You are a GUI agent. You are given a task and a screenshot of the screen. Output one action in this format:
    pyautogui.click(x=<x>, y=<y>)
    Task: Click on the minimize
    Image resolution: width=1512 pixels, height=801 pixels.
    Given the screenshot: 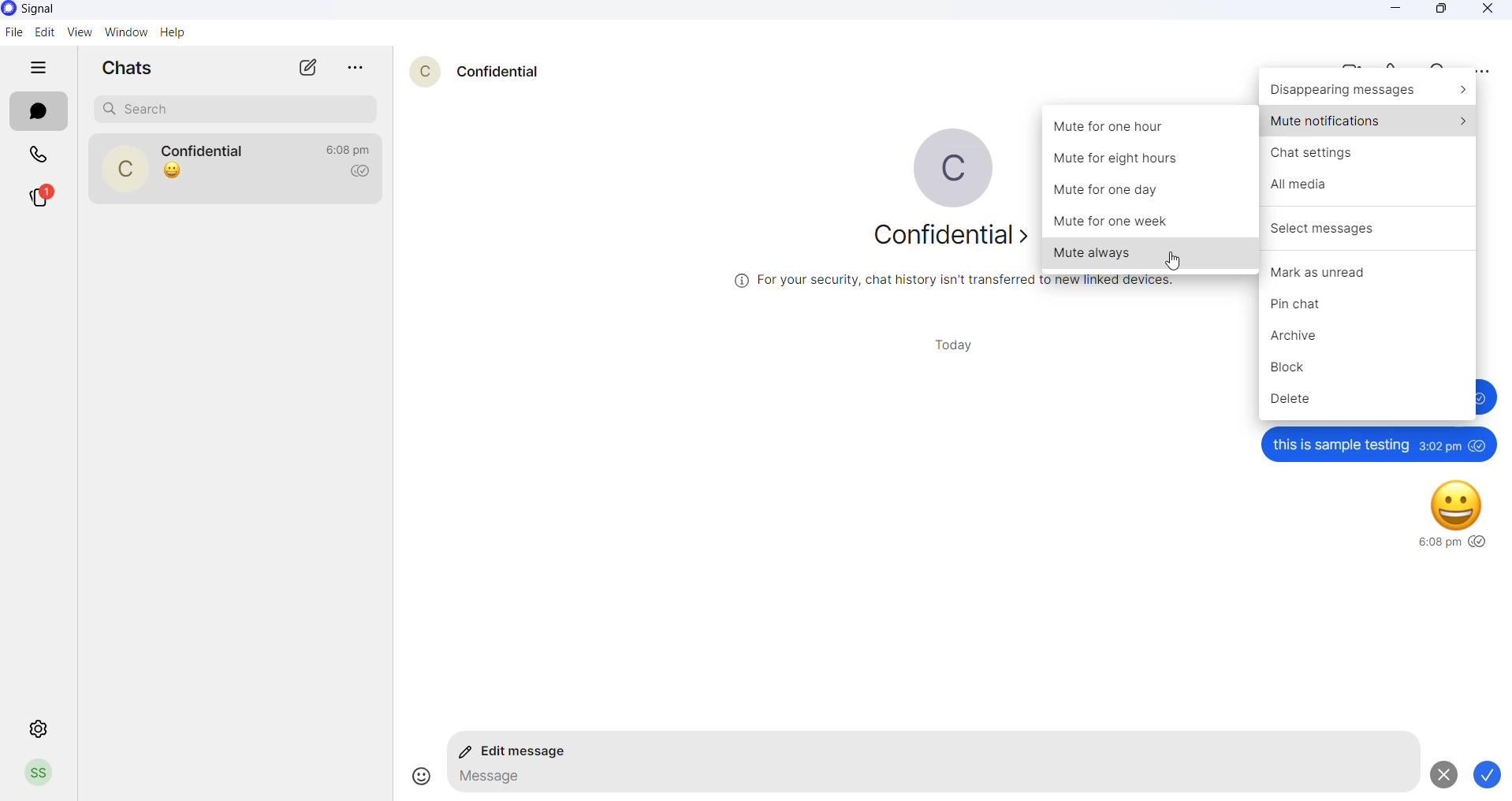 What is the action you would take?
    pyautogui.click(x=1401, y=9)
    